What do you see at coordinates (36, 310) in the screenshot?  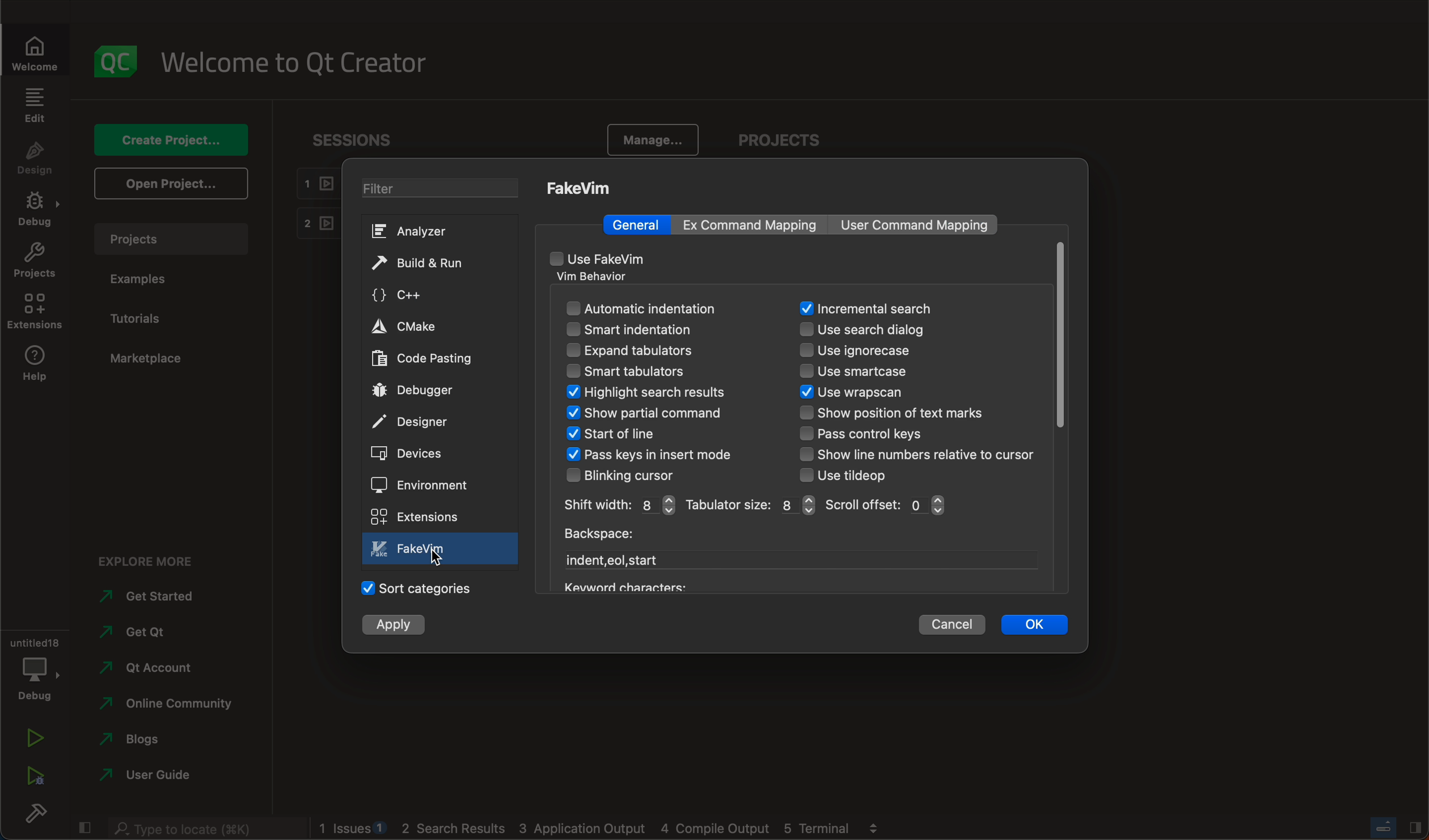 I see `extensions` at bounding box center [36, 310].